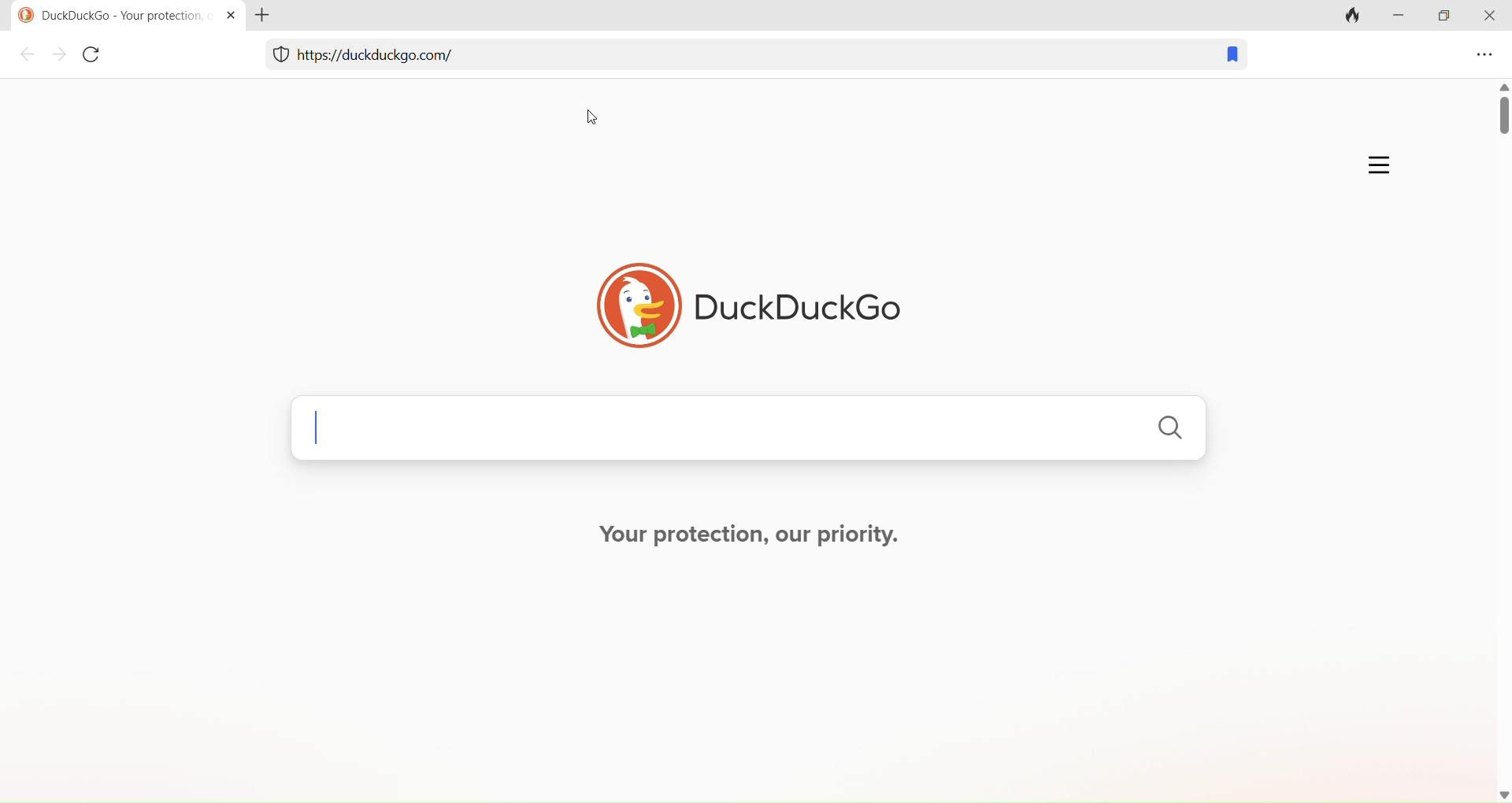 Image resolution: width=1512 pixels, height=803 pixels. Describe the element at coordinates (95, 58) in the screenshot. I see `reload` at that location.